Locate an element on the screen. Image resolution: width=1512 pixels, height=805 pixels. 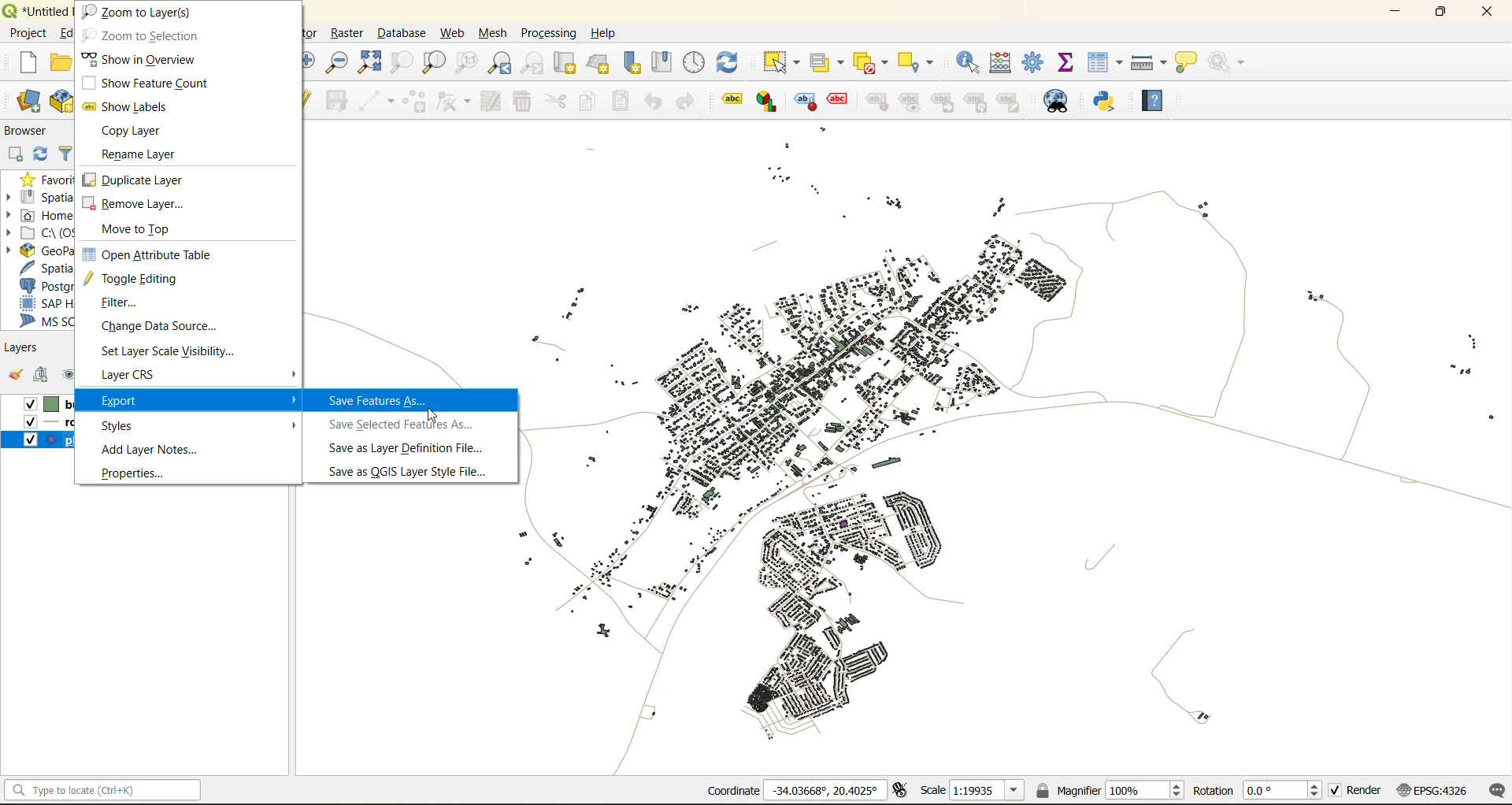
toggle editing is located at coordinates (136, 280).